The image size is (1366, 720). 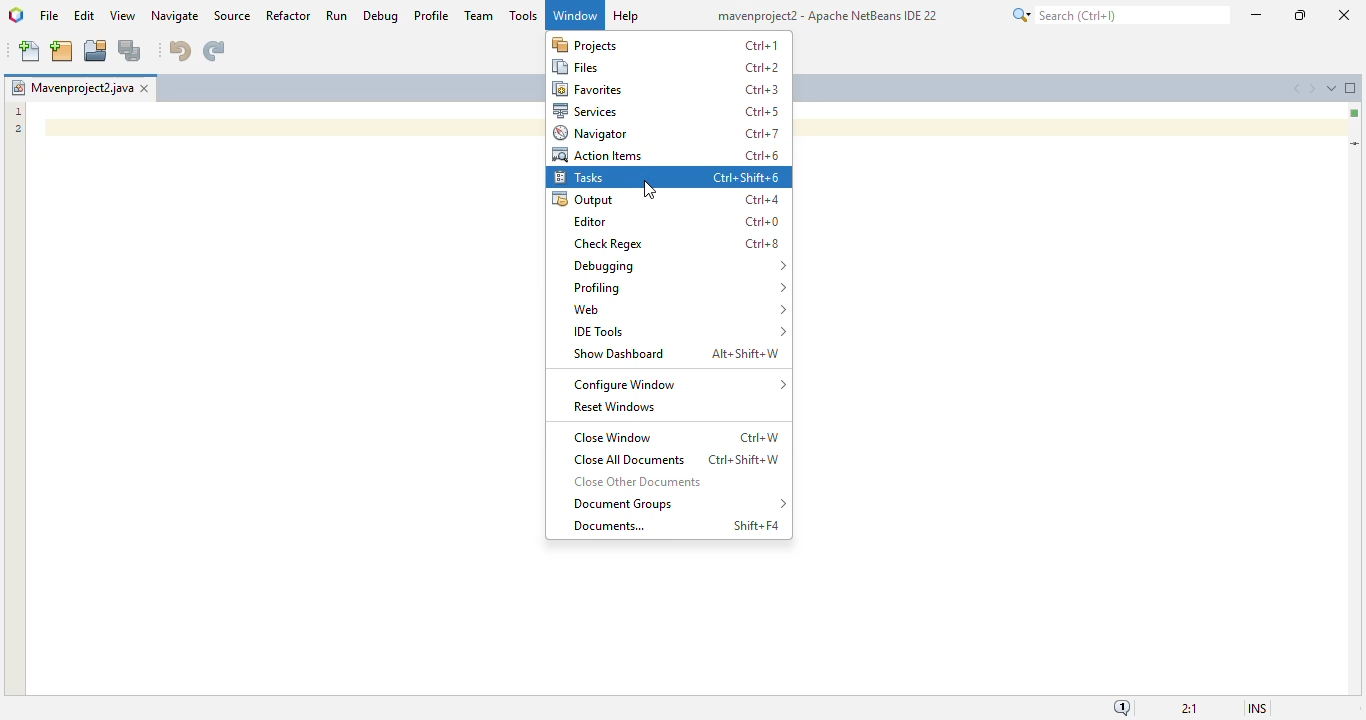 What do you see at coordinates (433, 15) in the screenshot?
I see `profile` at bounding box center [433, 15].